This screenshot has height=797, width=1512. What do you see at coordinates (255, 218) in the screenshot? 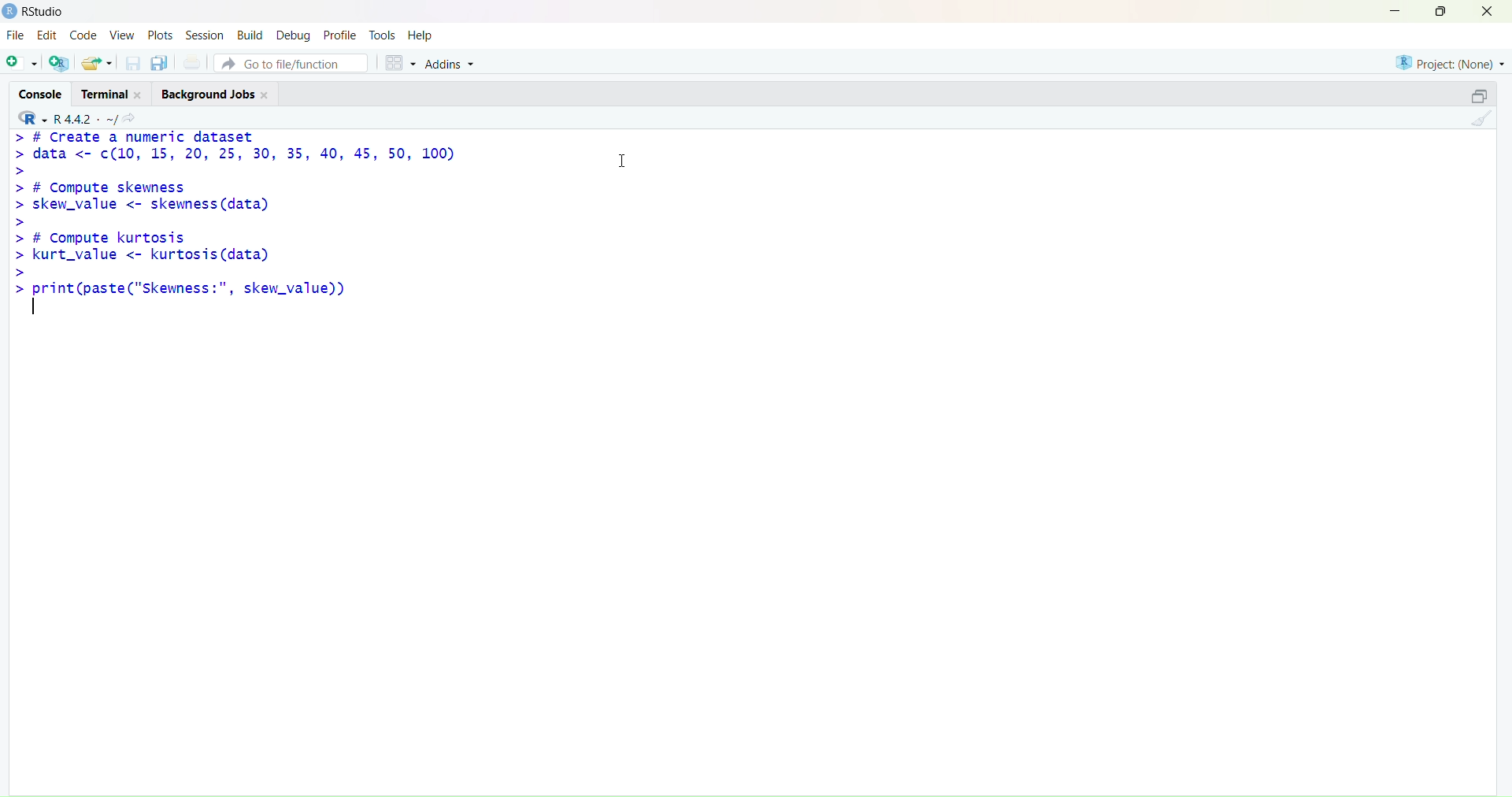
I see `2 # LIEalE a liulel ic dataset
> data <- c(10, 15, 20, 25, 30, 35, 40, 45, 50, 100)
>
> # Compute skewness
> skew_value <- skewness (data)
>
> # Compute kurtosis
> kurt_value <- kurtosis(data)
>
.` at bounding box center [255, 218].